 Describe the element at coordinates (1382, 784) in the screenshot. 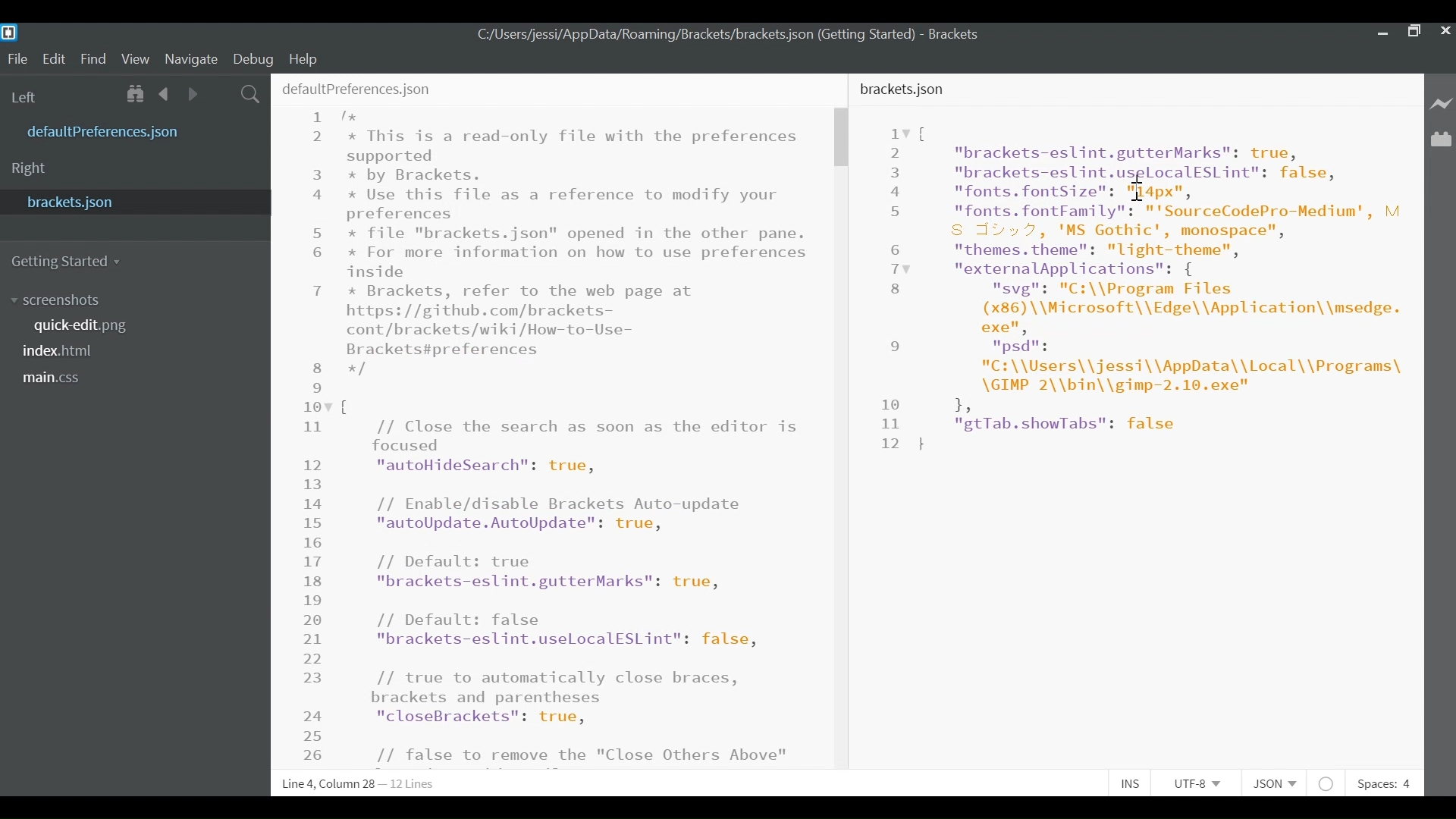

I see `Spaces` at that location.